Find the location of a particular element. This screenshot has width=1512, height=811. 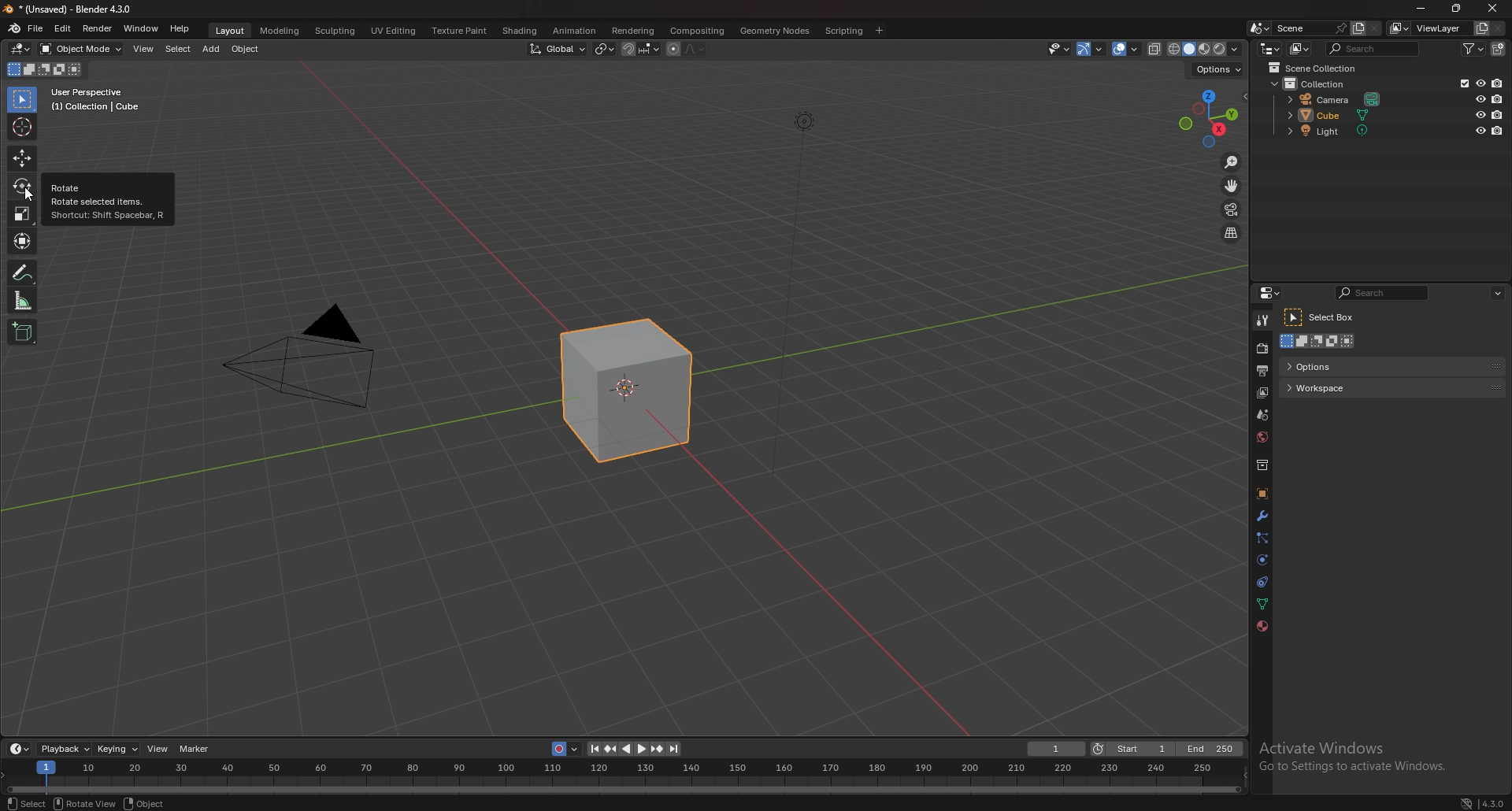

physics is located at coordinates (1262, 560).